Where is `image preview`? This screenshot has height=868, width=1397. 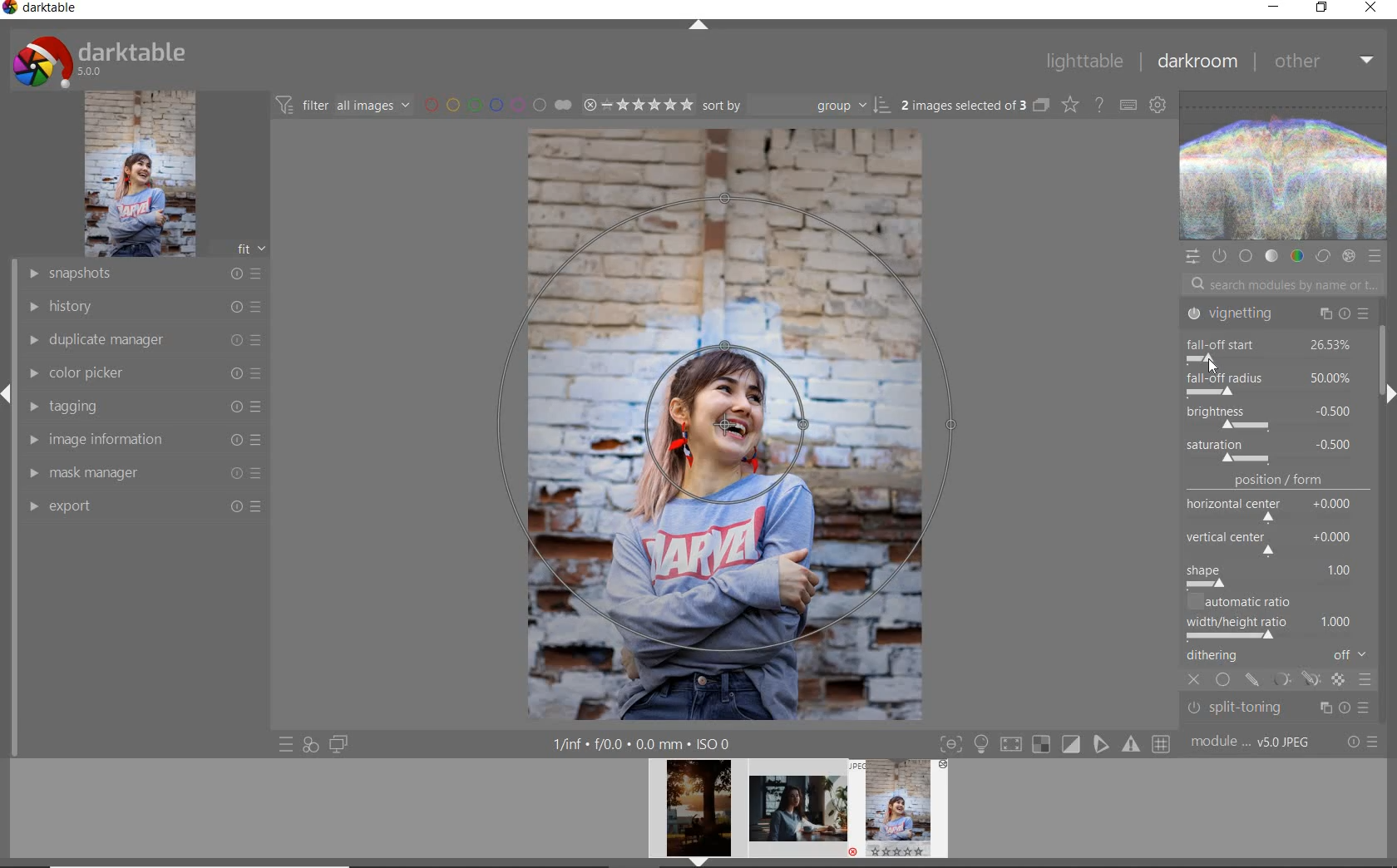
image preview is located at coordinates (694, 813).